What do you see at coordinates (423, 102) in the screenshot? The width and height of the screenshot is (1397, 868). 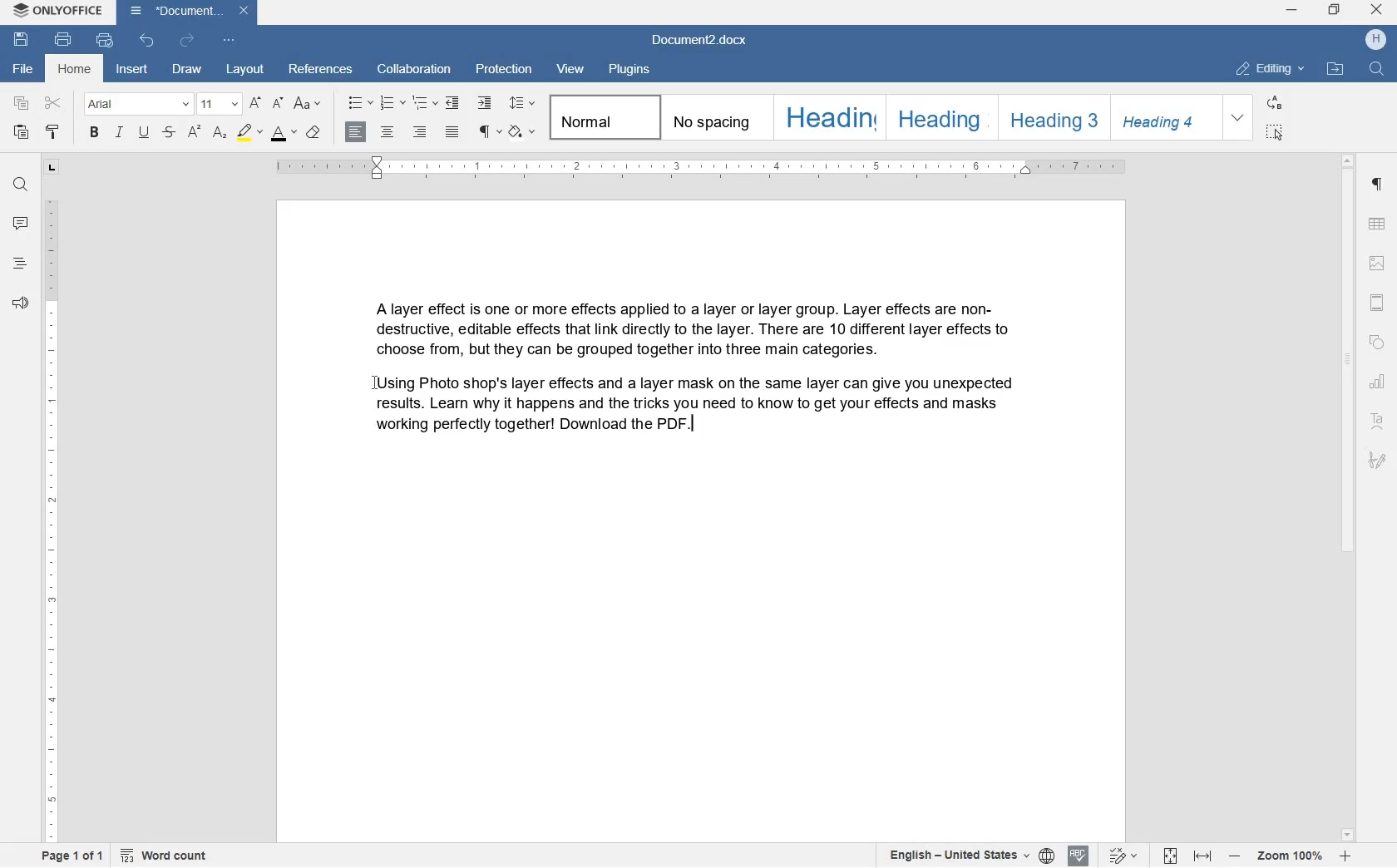 I see `MULTILEVEL LIST` at bounding box center [423, 102].